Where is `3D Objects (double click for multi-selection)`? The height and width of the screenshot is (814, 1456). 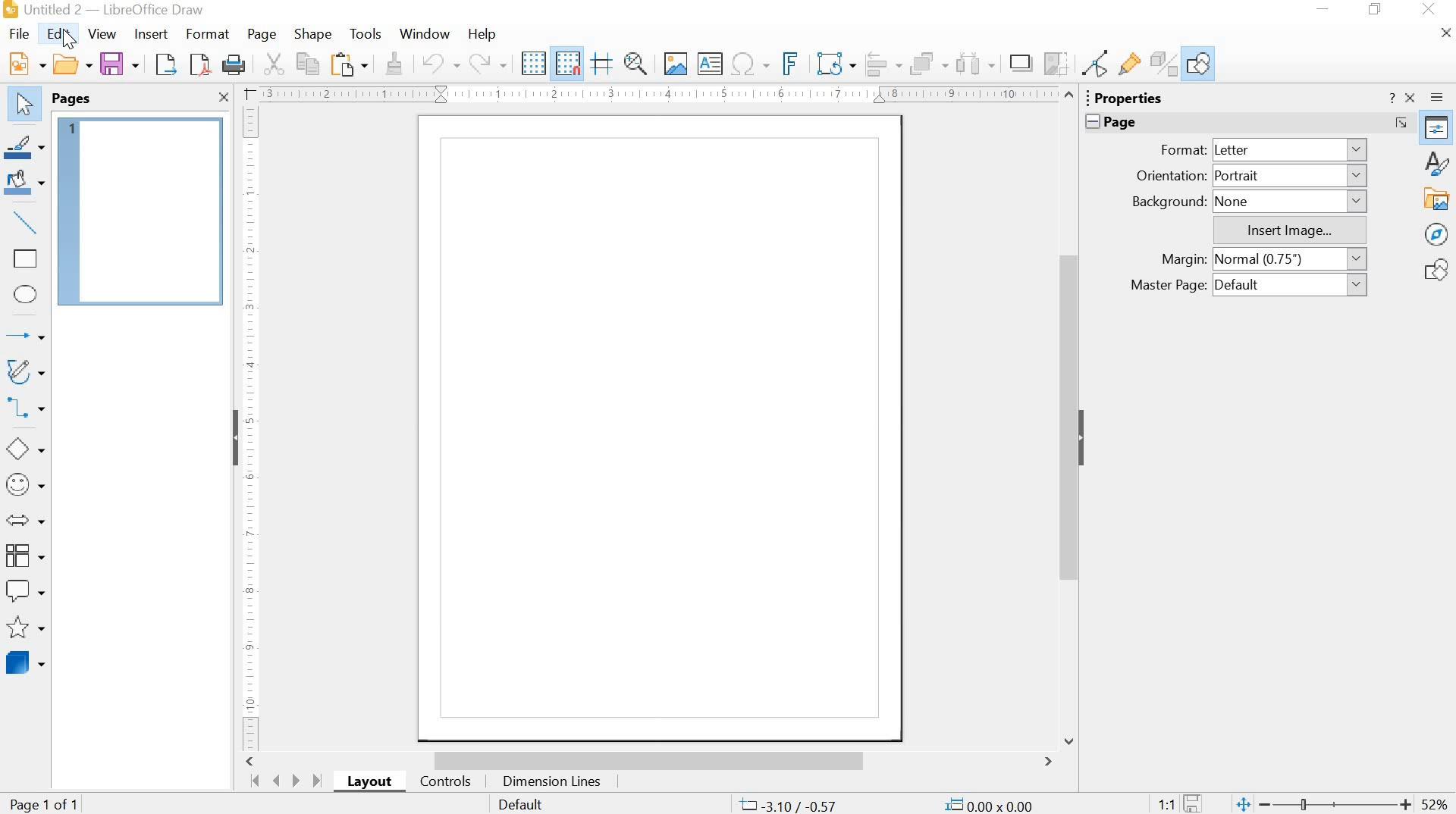 3D Objects (double click for multi-selection) is located at coordinates (25, 662).